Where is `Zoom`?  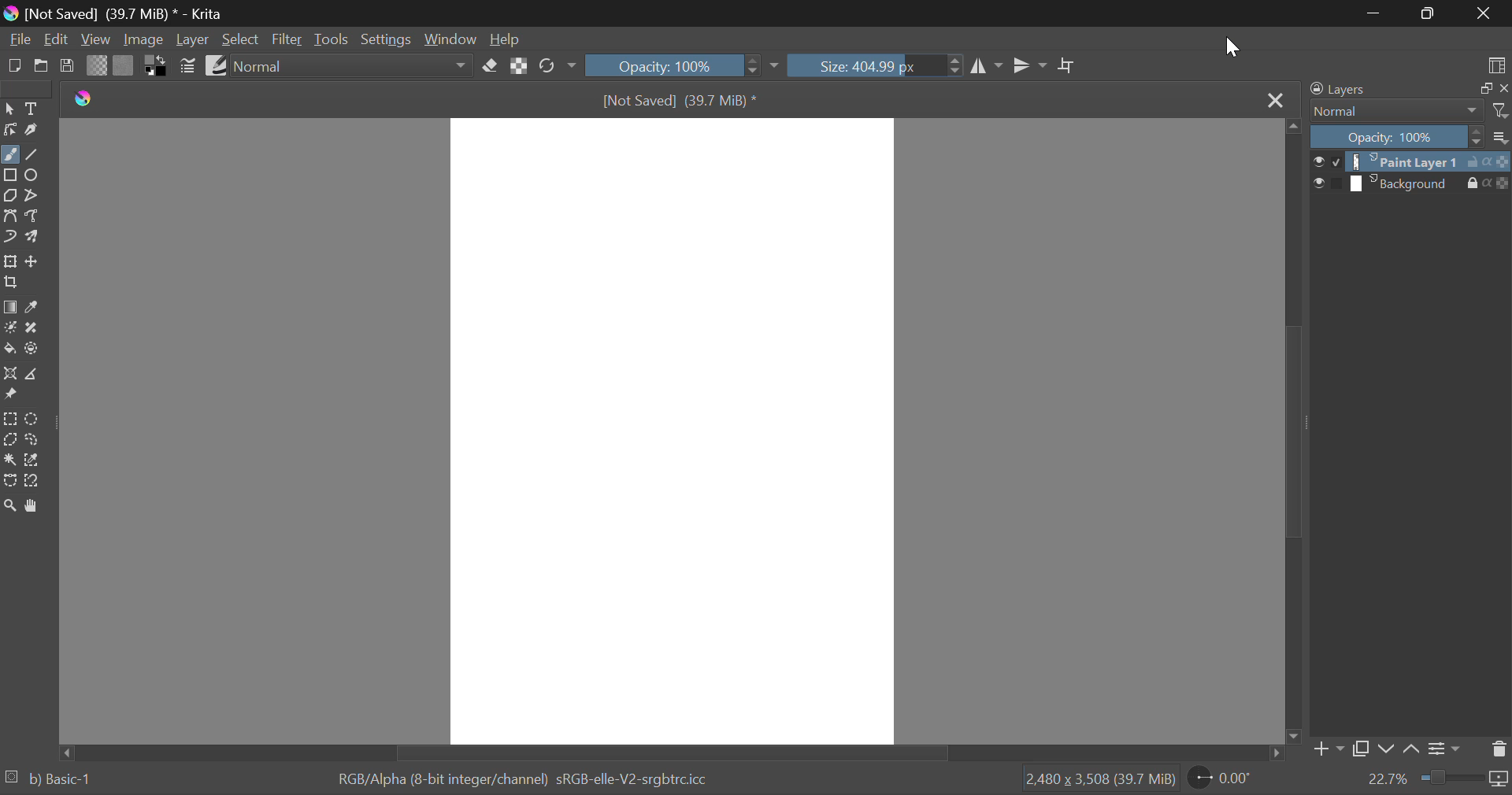
Zoom is located at coordinates (9, 505).